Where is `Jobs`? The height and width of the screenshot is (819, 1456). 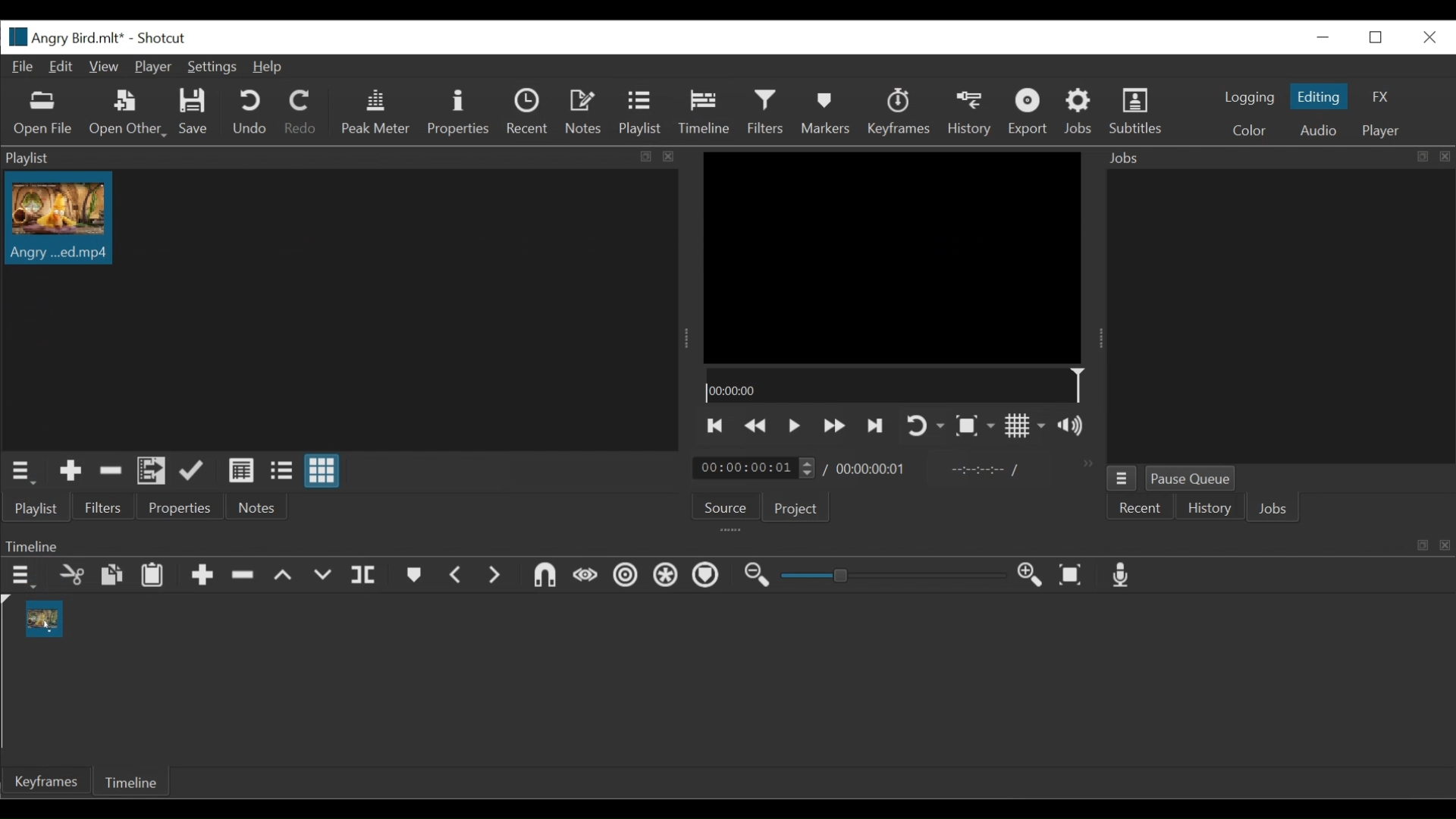 Jobs is located at coordinates (1081, 111).